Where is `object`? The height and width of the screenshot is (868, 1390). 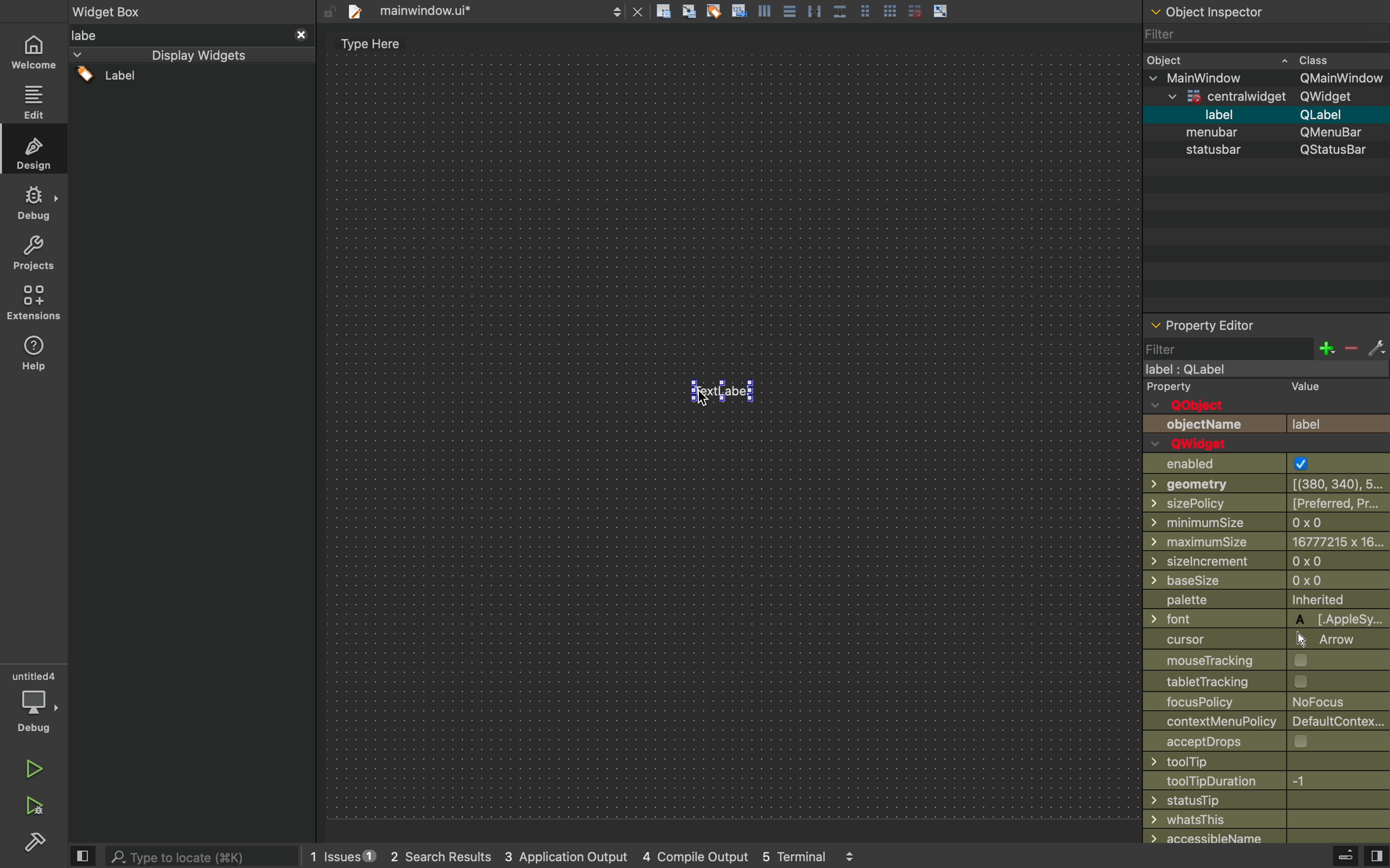 object is located at coordinates (1265, 60).